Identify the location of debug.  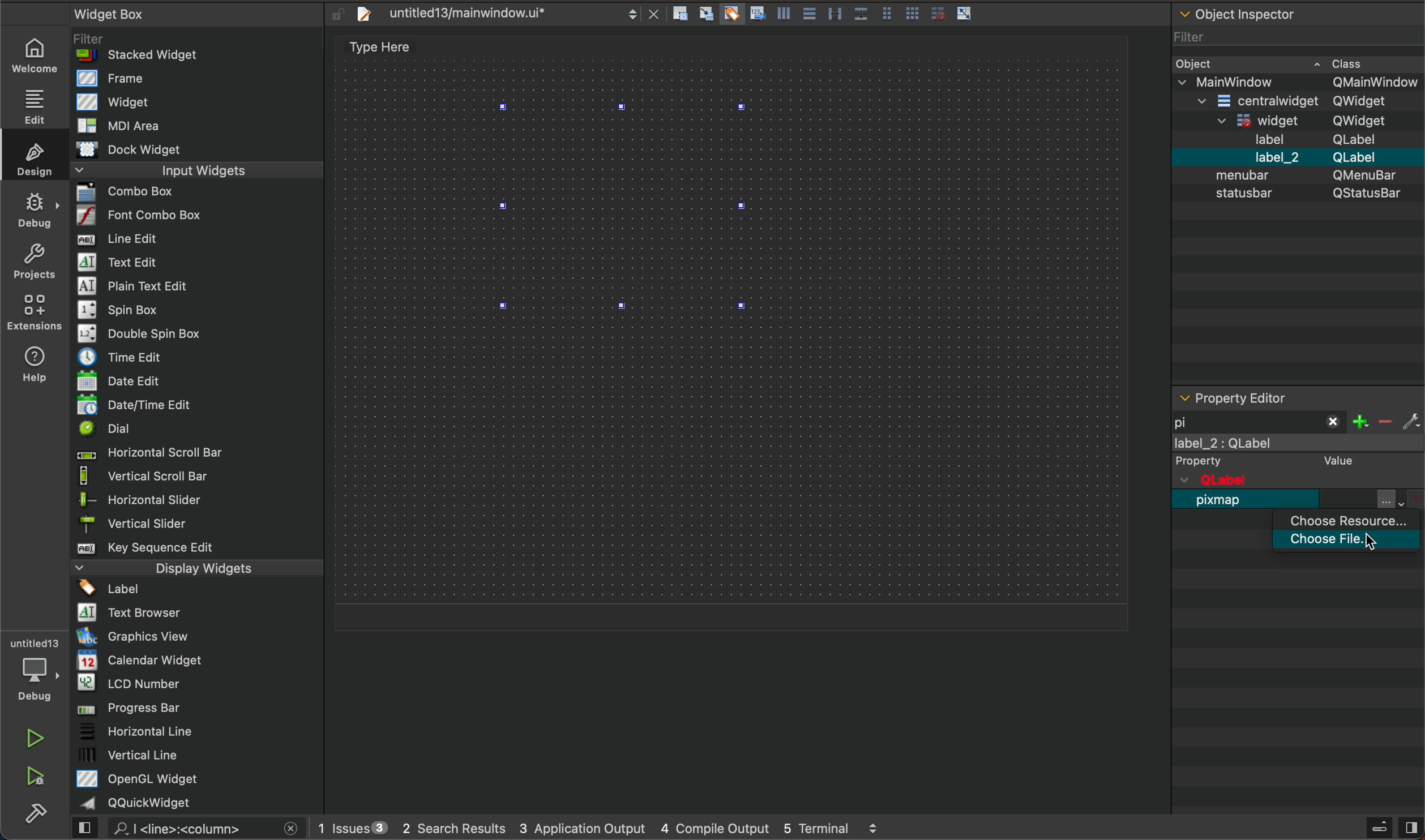
(34, 206).